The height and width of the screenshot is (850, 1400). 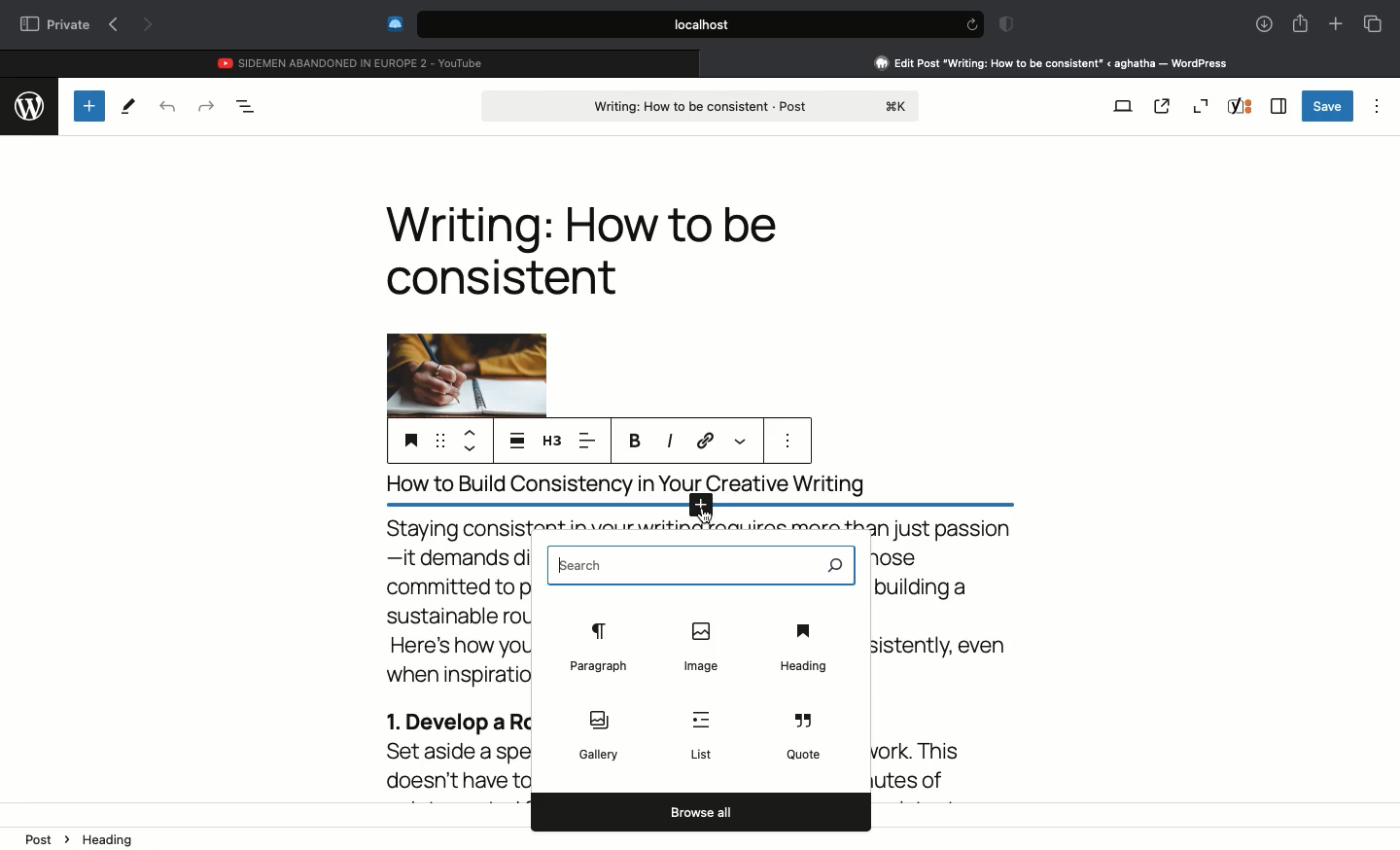 What do you see at coordinates (703, 104) in the screenshot?
I see `Post` at bounding box center [703, 104].